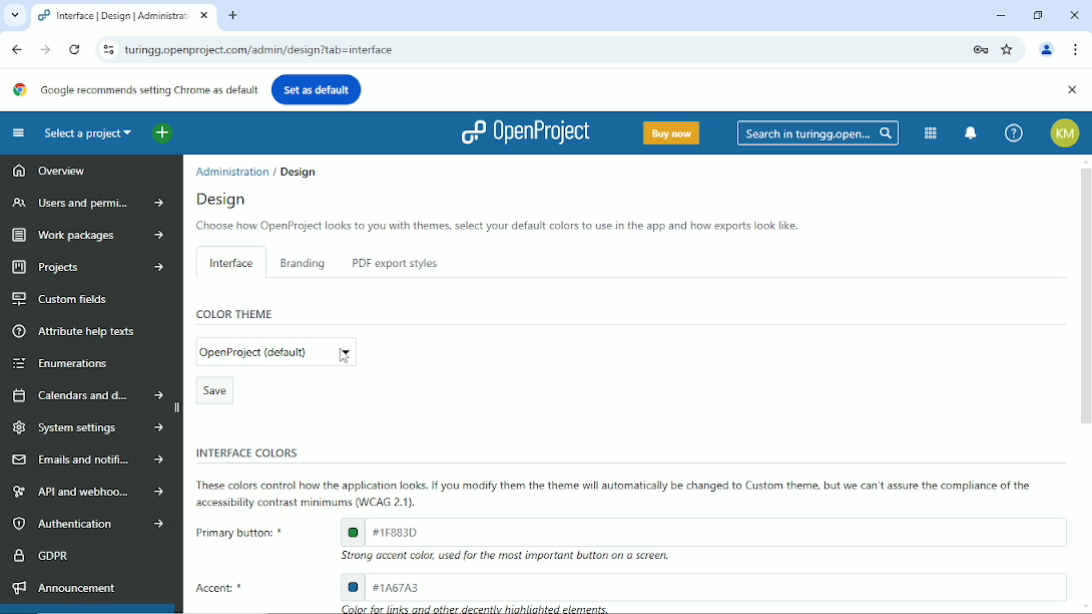 The image size is (1092, 614). I want to click on Close, so click(1074, 13).